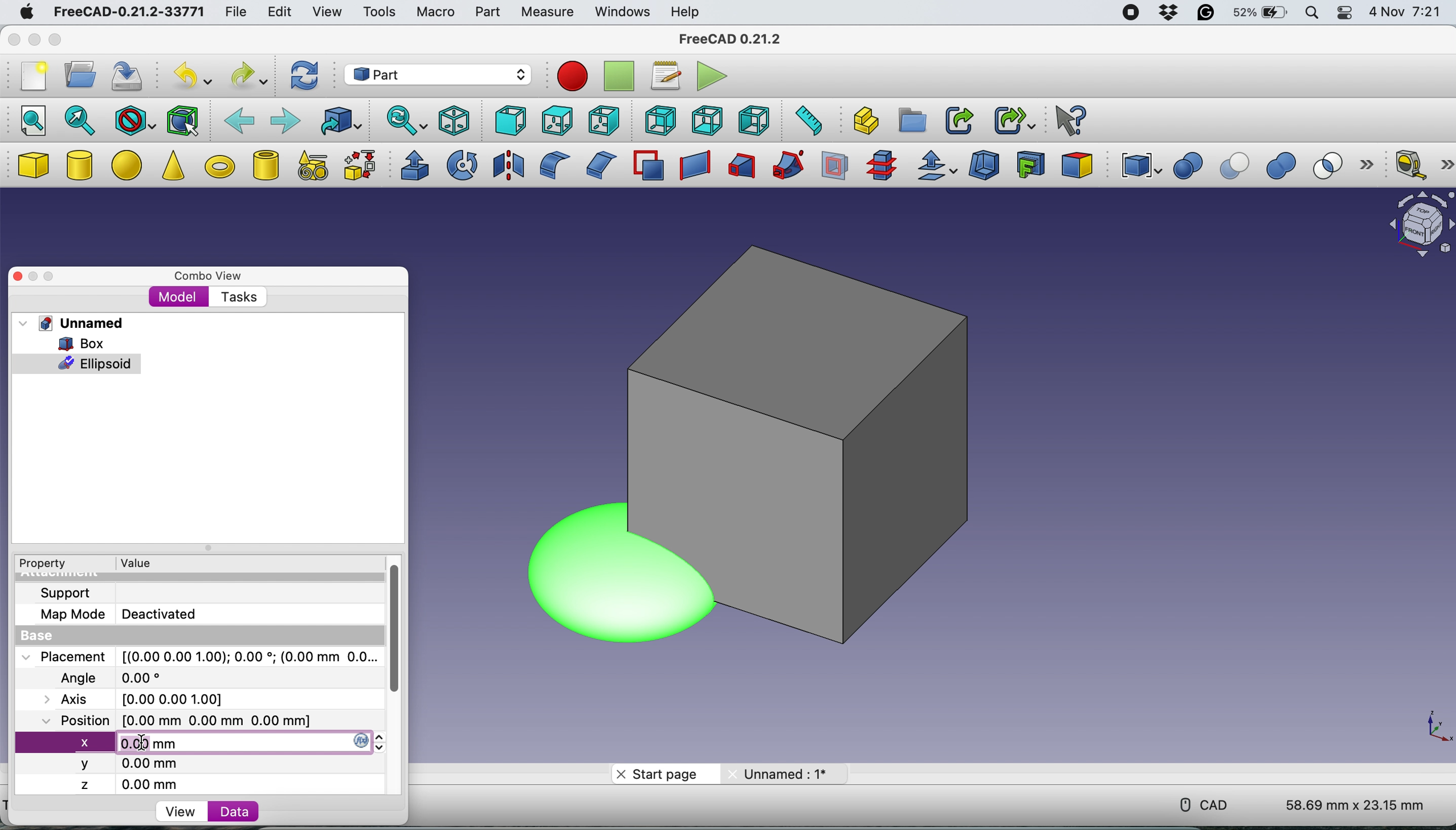 Image resolution: width=1456 pixels, height=830 pixels. Describe the element at coordinates (508, 121) in the screenshot. I see `front` at that location.